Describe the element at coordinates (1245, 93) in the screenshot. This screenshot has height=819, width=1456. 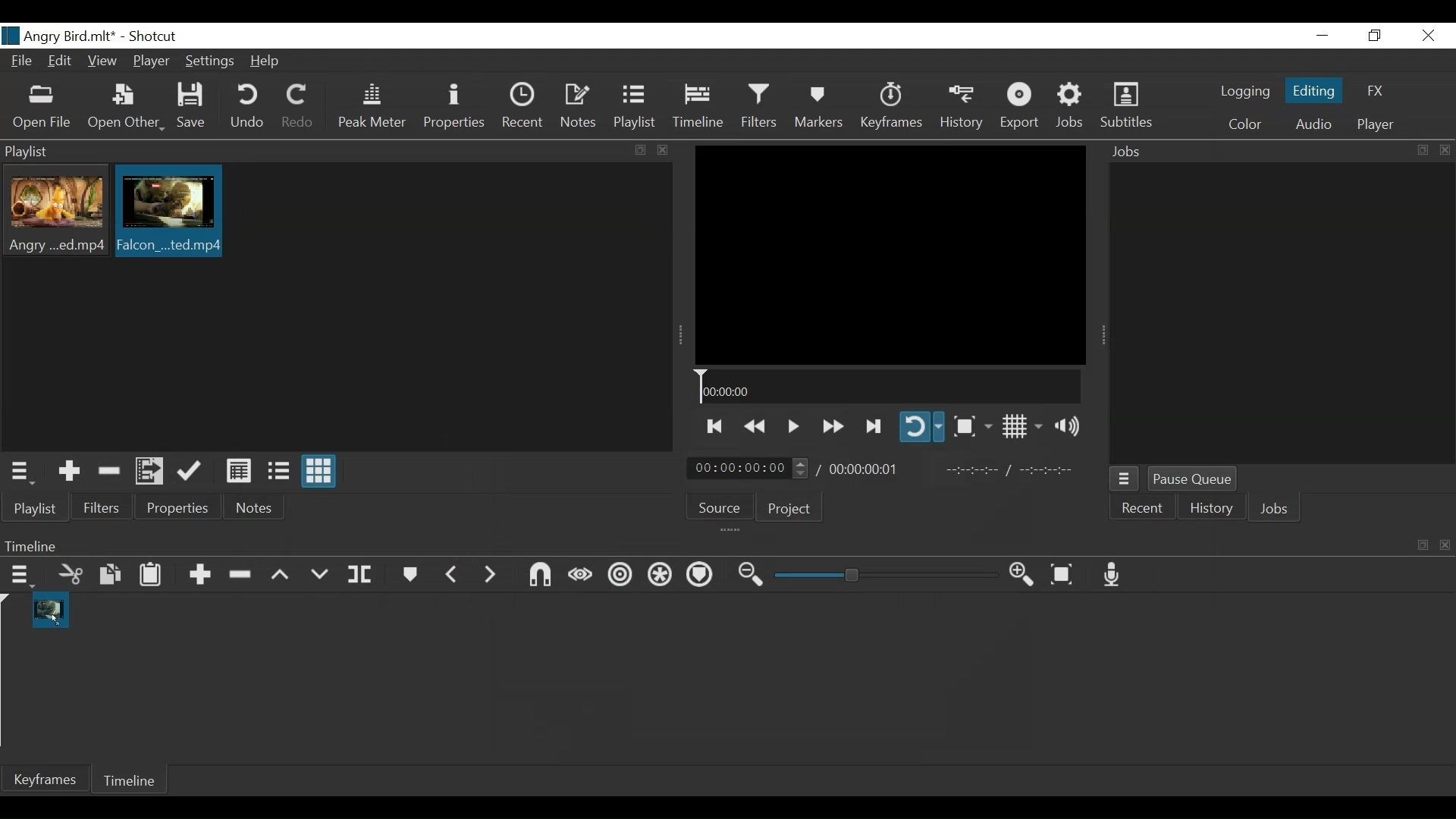
I see `logging` at that location.